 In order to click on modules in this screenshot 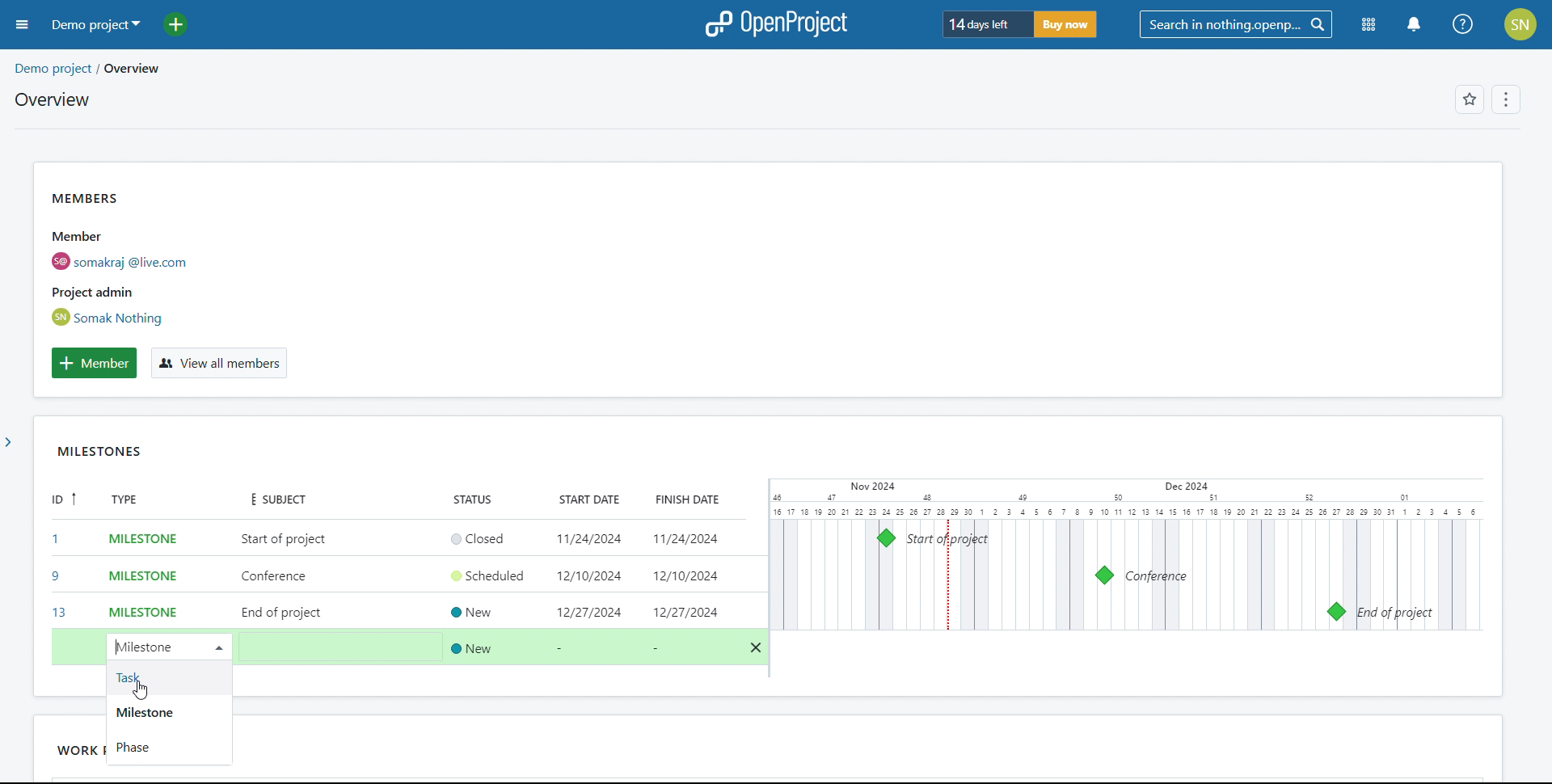, I will do `click(1369, 26)`.